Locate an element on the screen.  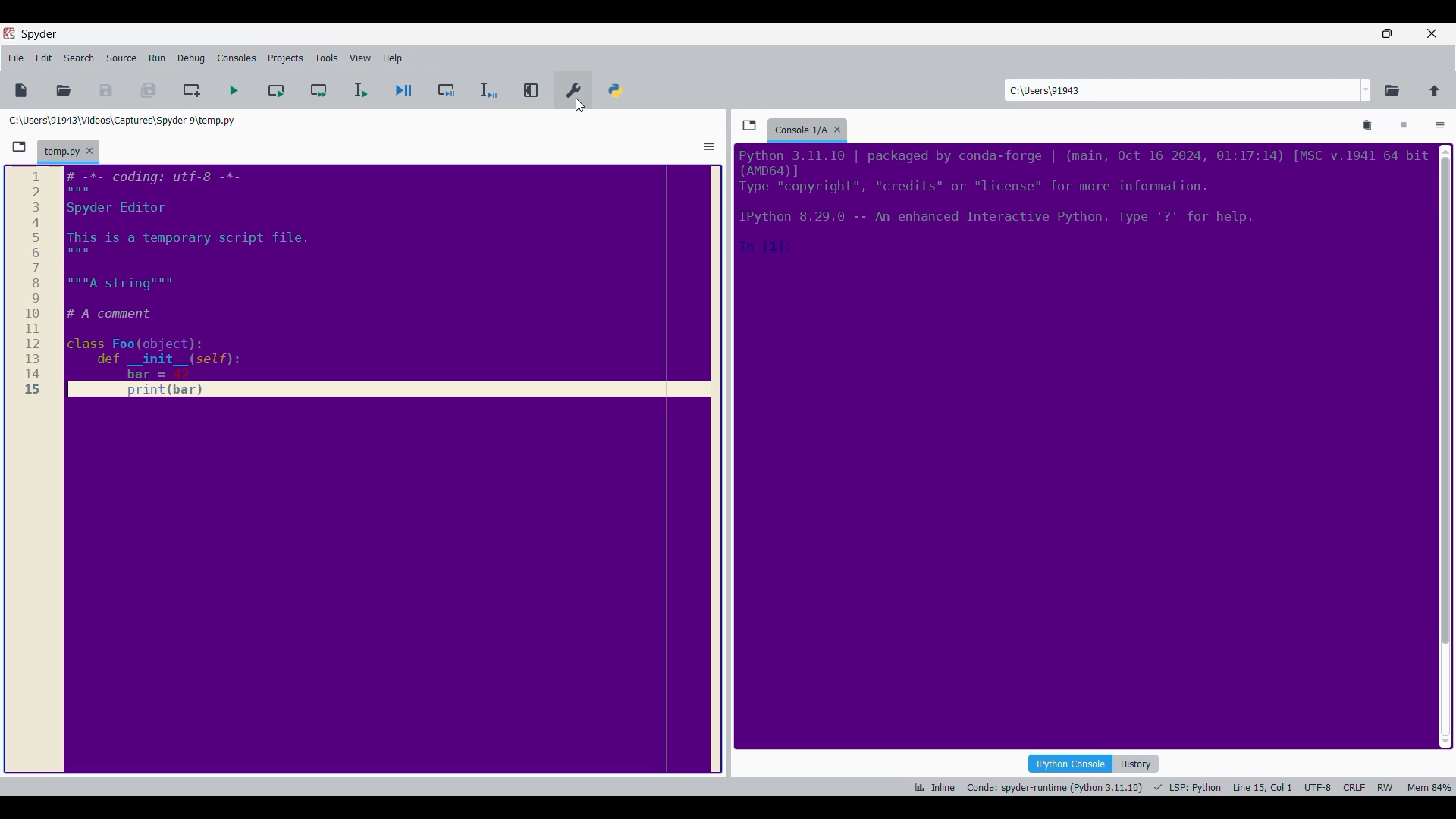
Run file is located at coordinates (234, 90).